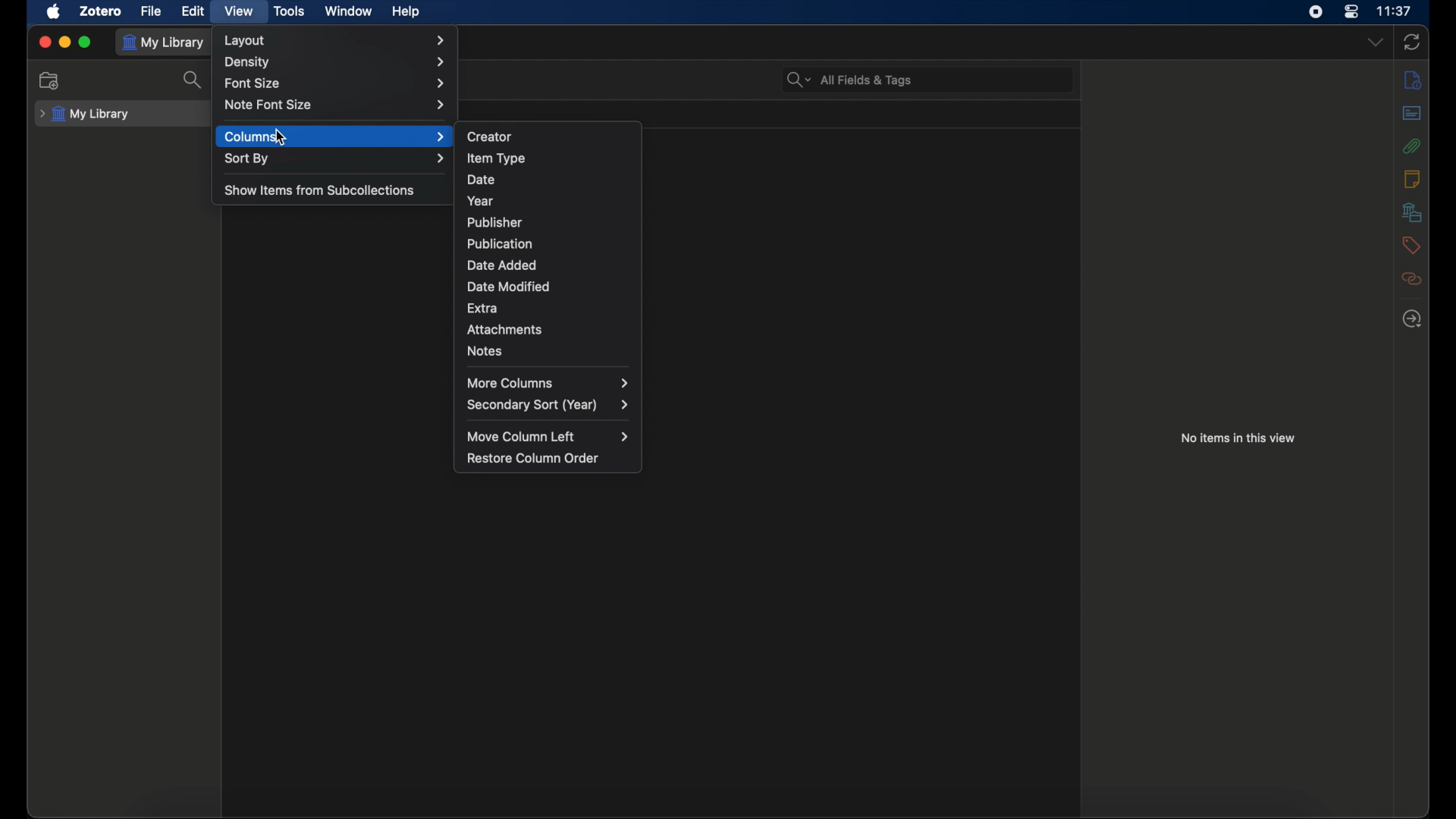  Describe the element at coordinates (1411, 318) in the screenshot. I see `locate` at that location.